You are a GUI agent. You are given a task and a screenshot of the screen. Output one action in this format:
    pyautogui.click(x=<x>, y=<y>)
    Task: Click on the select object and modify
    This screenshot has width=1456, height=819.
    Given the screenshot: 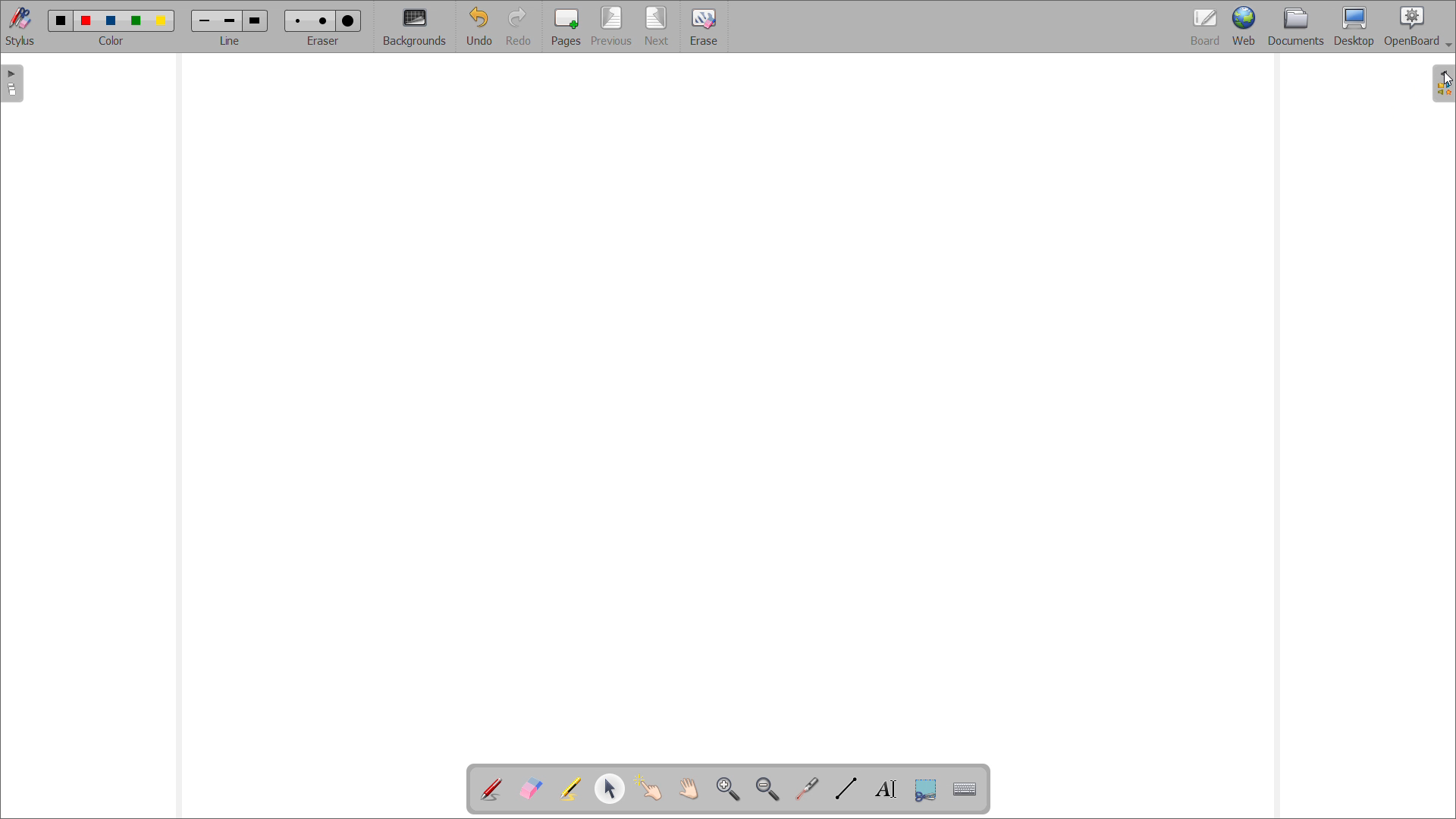 What is the action you would take?
    pyautogui.click(x=610, y=788)
    